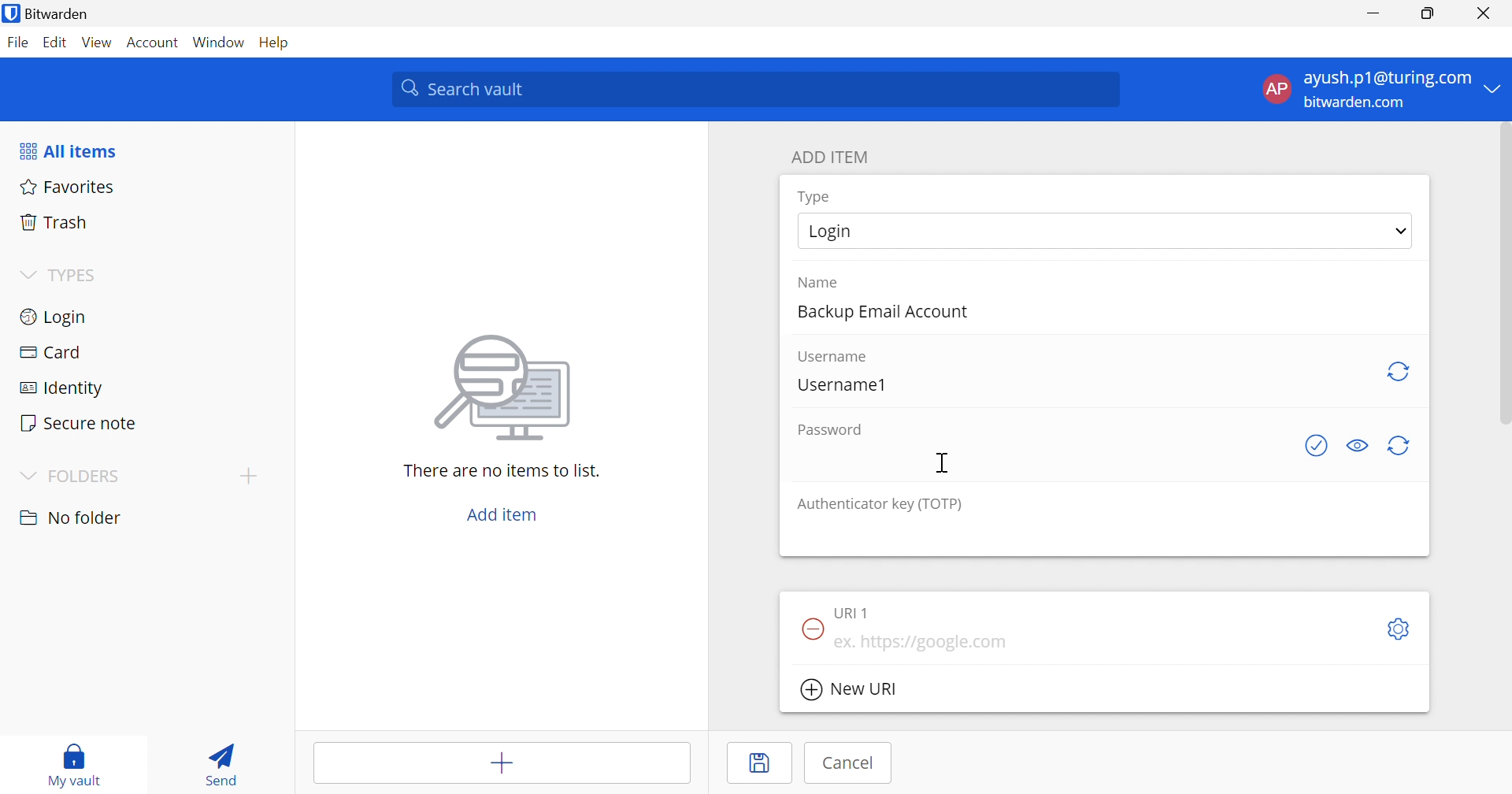  What do you see at coordinates (1427, 12) in the screenshot?
I see `Restore Down` at bounding box center [1427, 12].